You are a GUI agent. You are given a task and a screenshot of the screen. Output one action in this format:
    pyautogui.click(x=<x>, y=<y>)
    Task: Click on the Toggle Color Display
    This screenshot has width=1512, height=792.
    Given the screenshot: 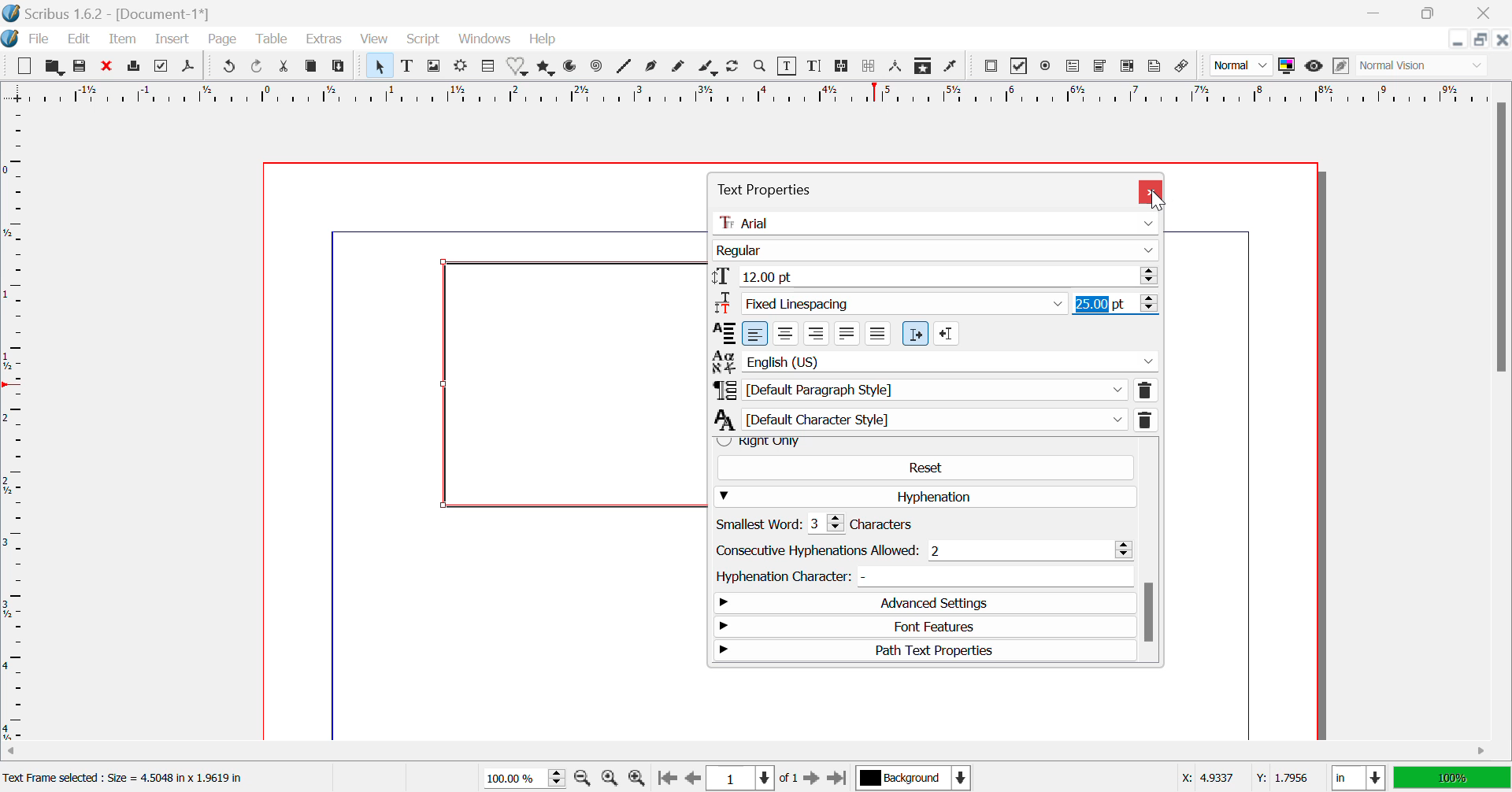 What is the action you would take?
    pyautogui.click(x=1289, y=67)
    